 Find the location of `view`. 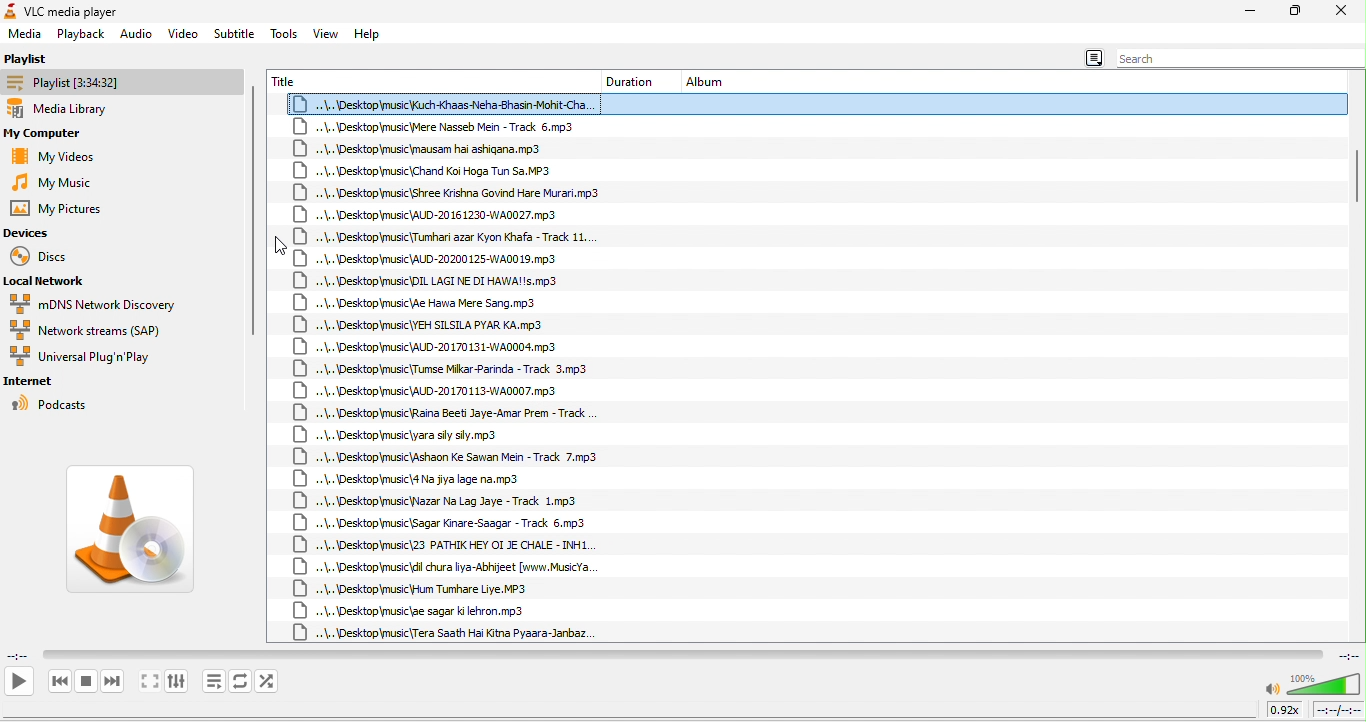

view is located at coordinates (327, 33).